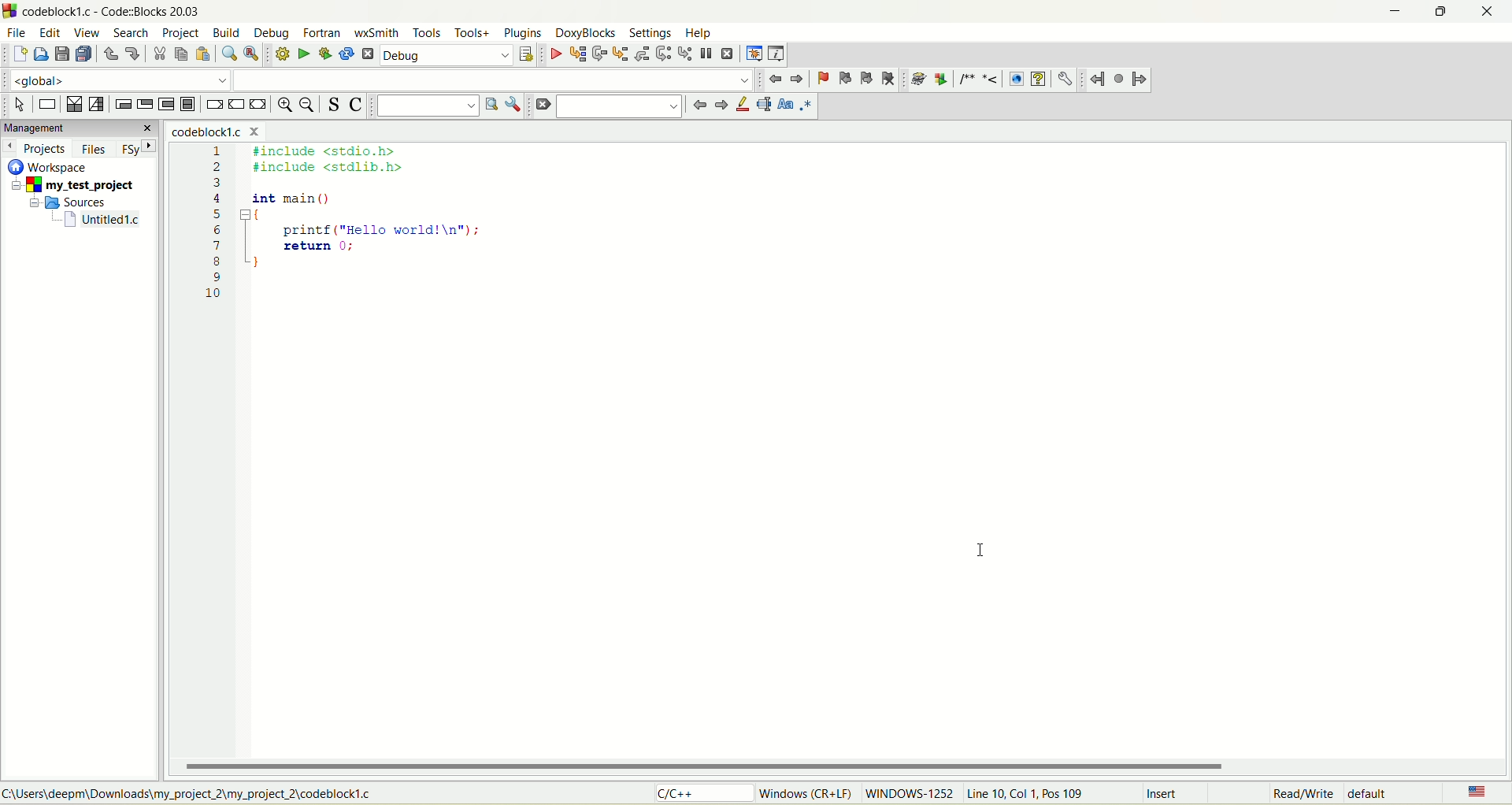 This screenshot has height=805, width=1512. What do you see at coordinates (523, 33) in the screenshot?
I see `plugins` at bounding box center [523, 33].